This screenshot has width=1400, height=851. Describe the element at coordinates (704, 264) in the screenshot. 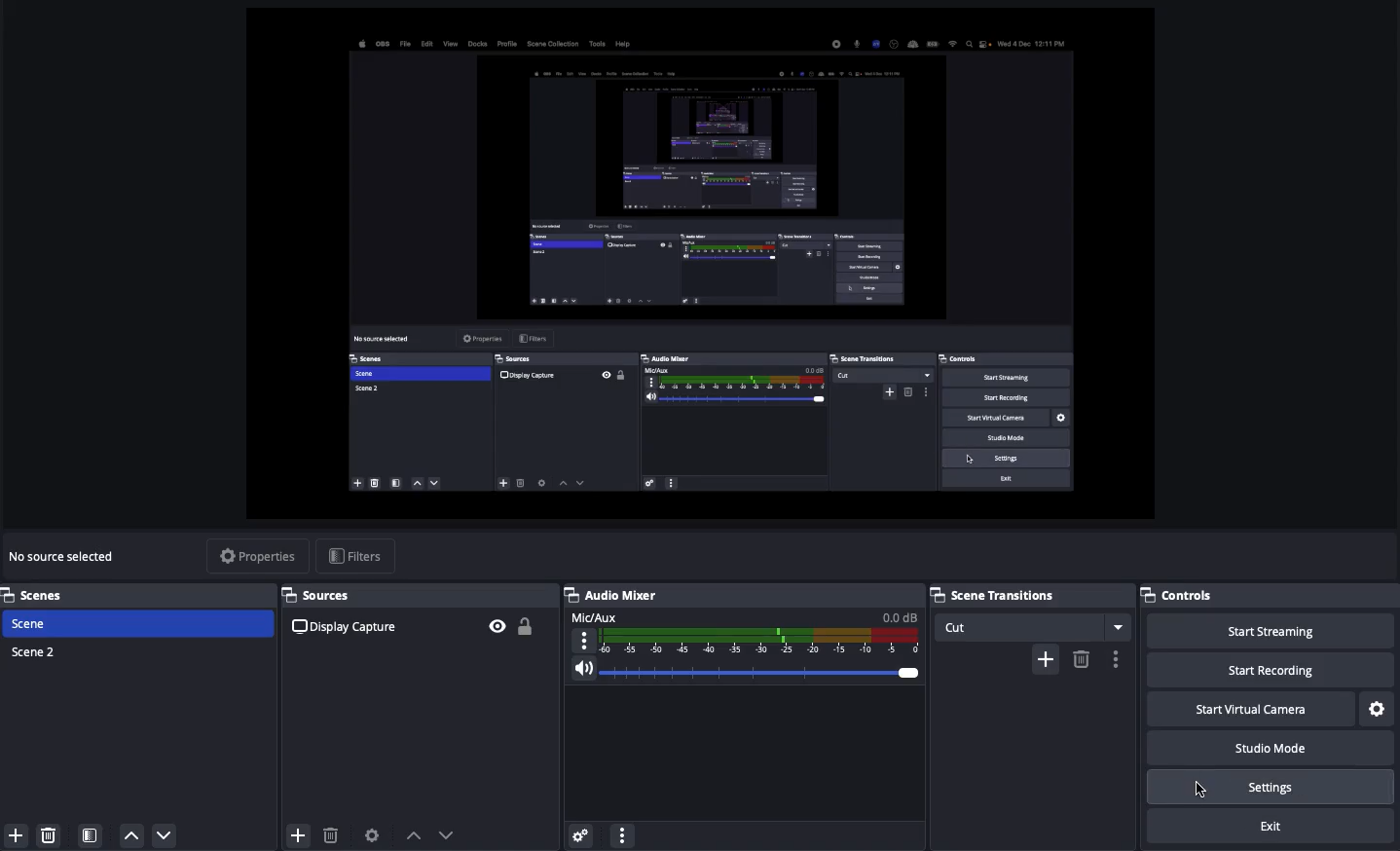

I see `Screen` at that location.